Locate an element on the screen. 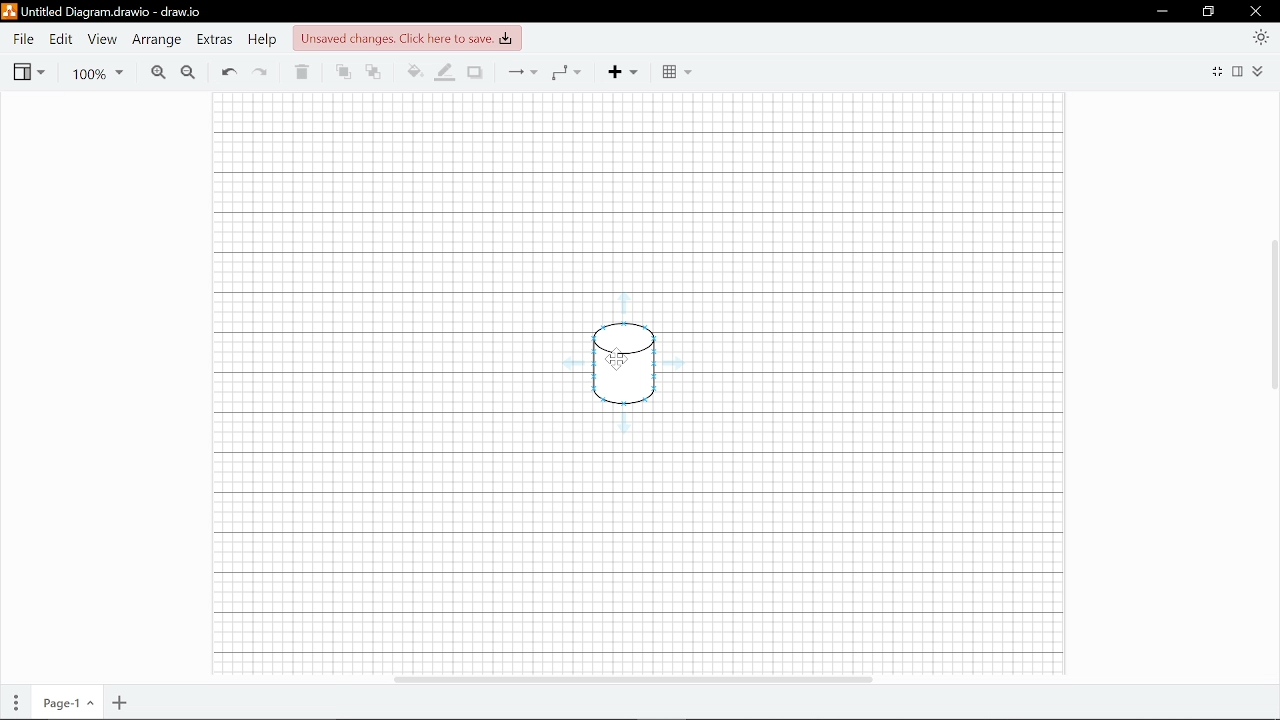  Waypoints is located at coordinates (568, 72).